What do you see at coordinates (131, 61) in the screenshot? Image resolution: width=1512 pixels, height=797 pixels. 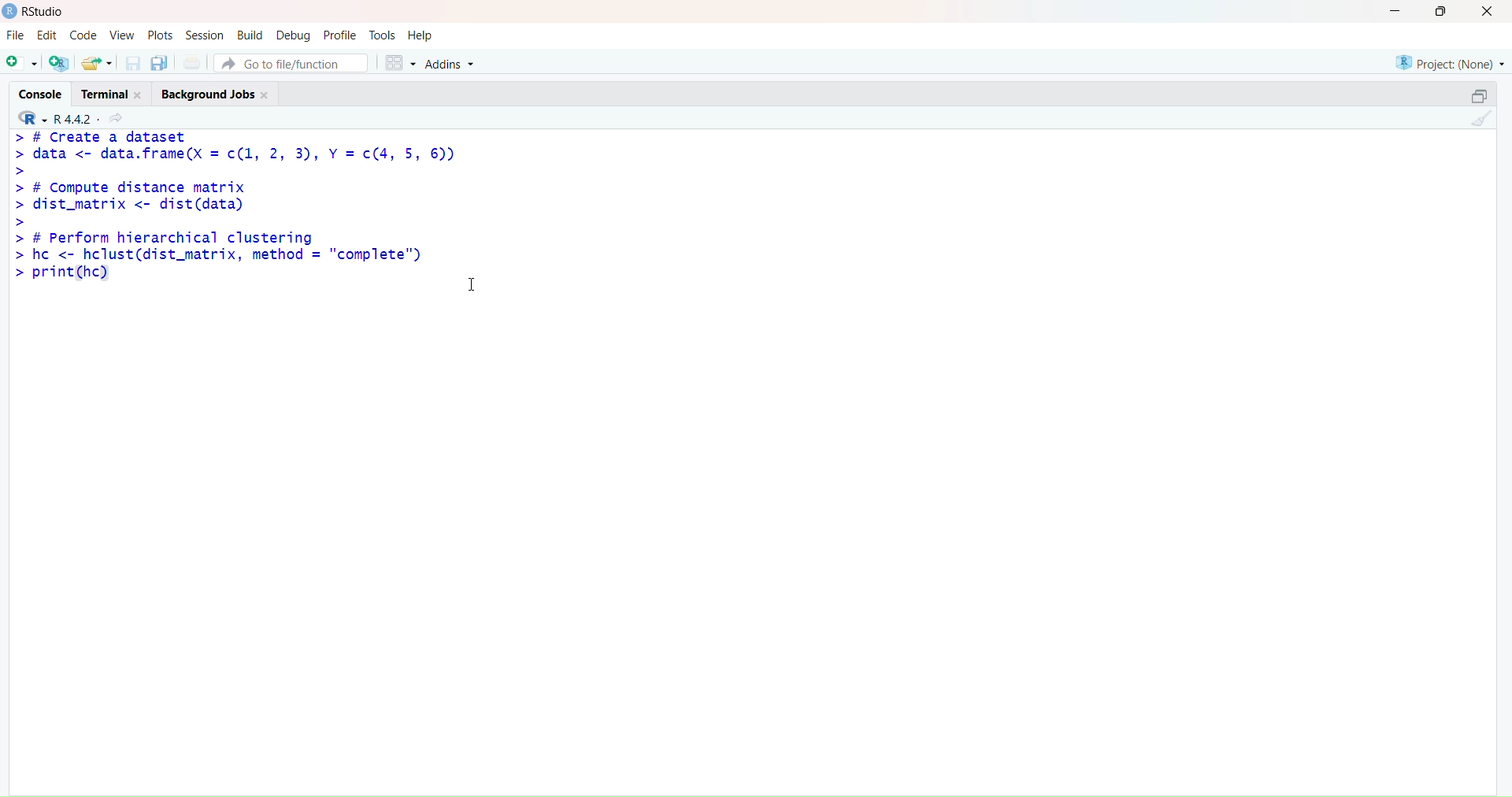 I see `Save current document (Ctrl + S)` at bounding box center [131, 61].